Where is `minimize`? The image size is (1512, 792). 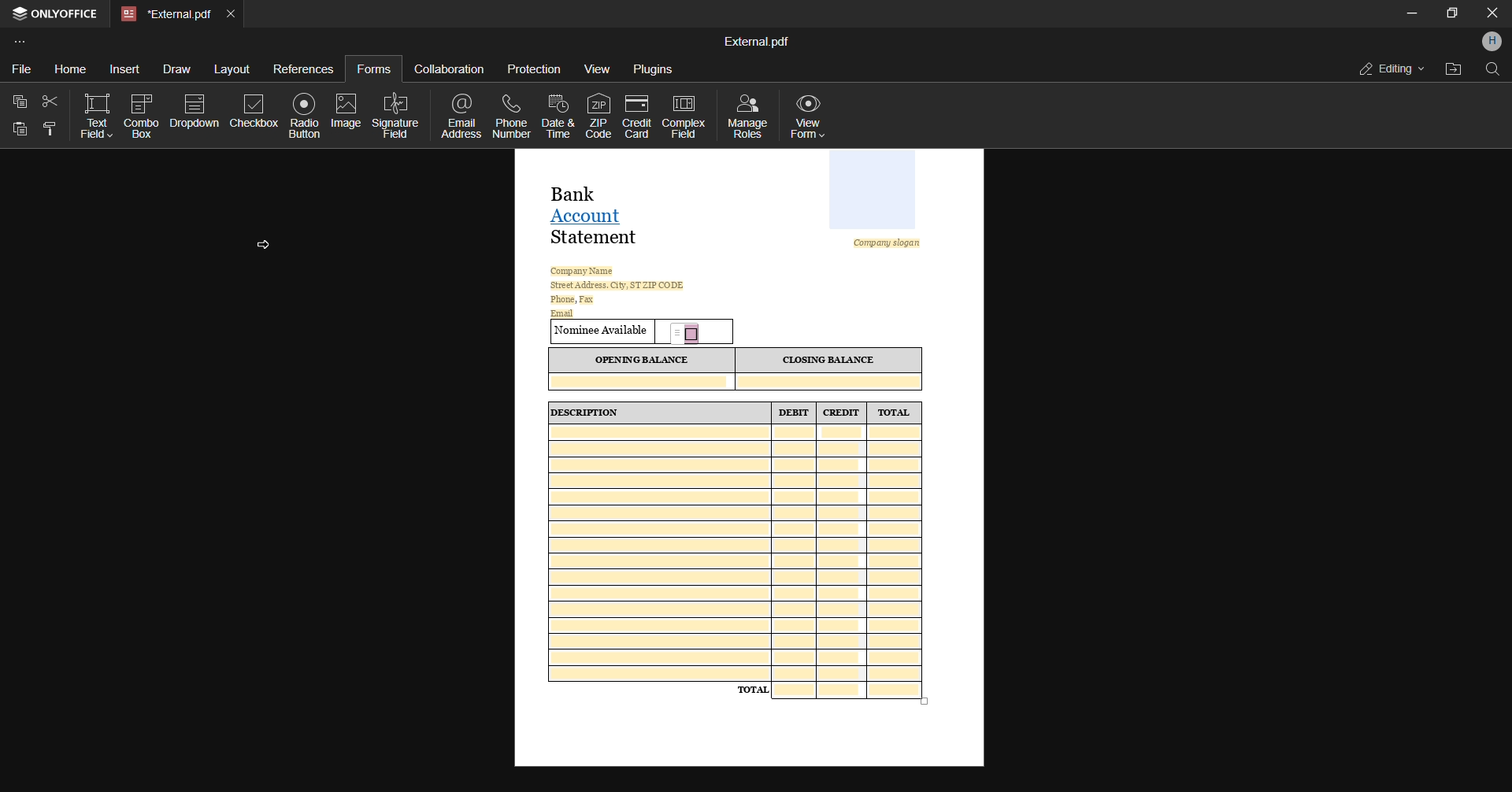 minimize is located at coordinates (1408, 13).